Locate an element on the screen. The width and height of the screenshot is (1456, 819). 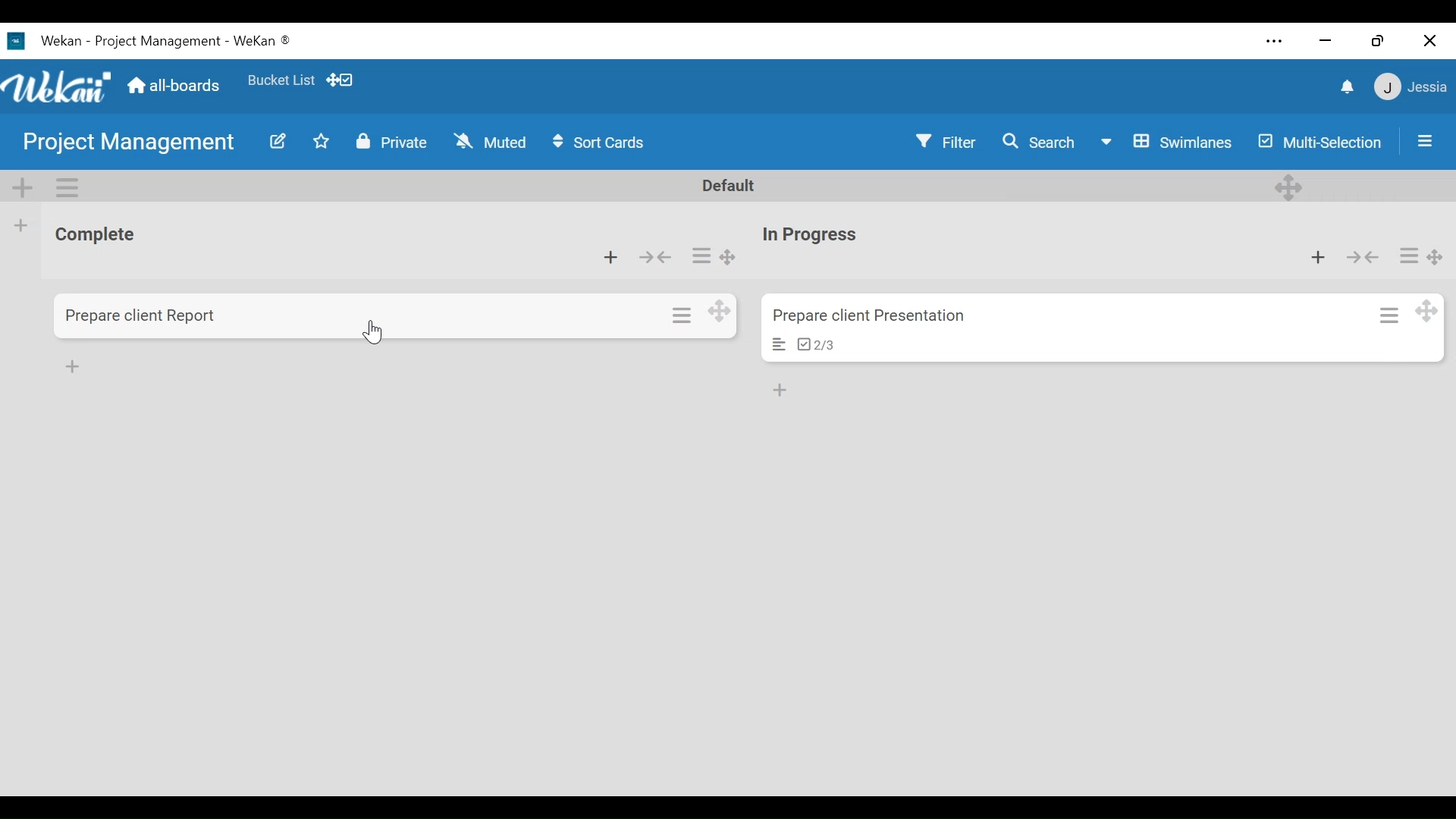
Restore is located at coordinates (1375, 41).